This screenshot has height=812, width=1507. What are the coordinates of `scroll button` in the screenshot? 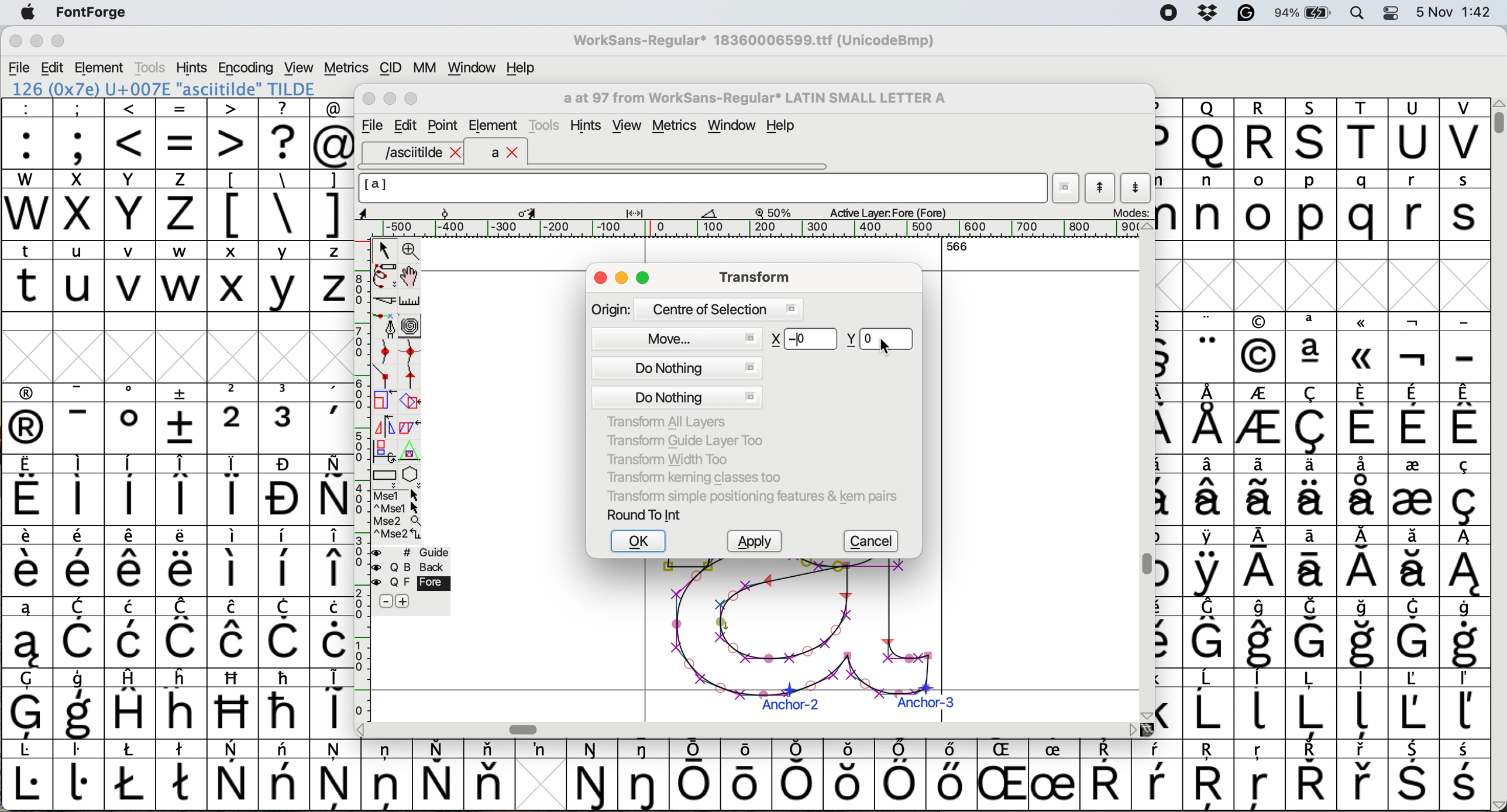 It's located at (1497, 804).